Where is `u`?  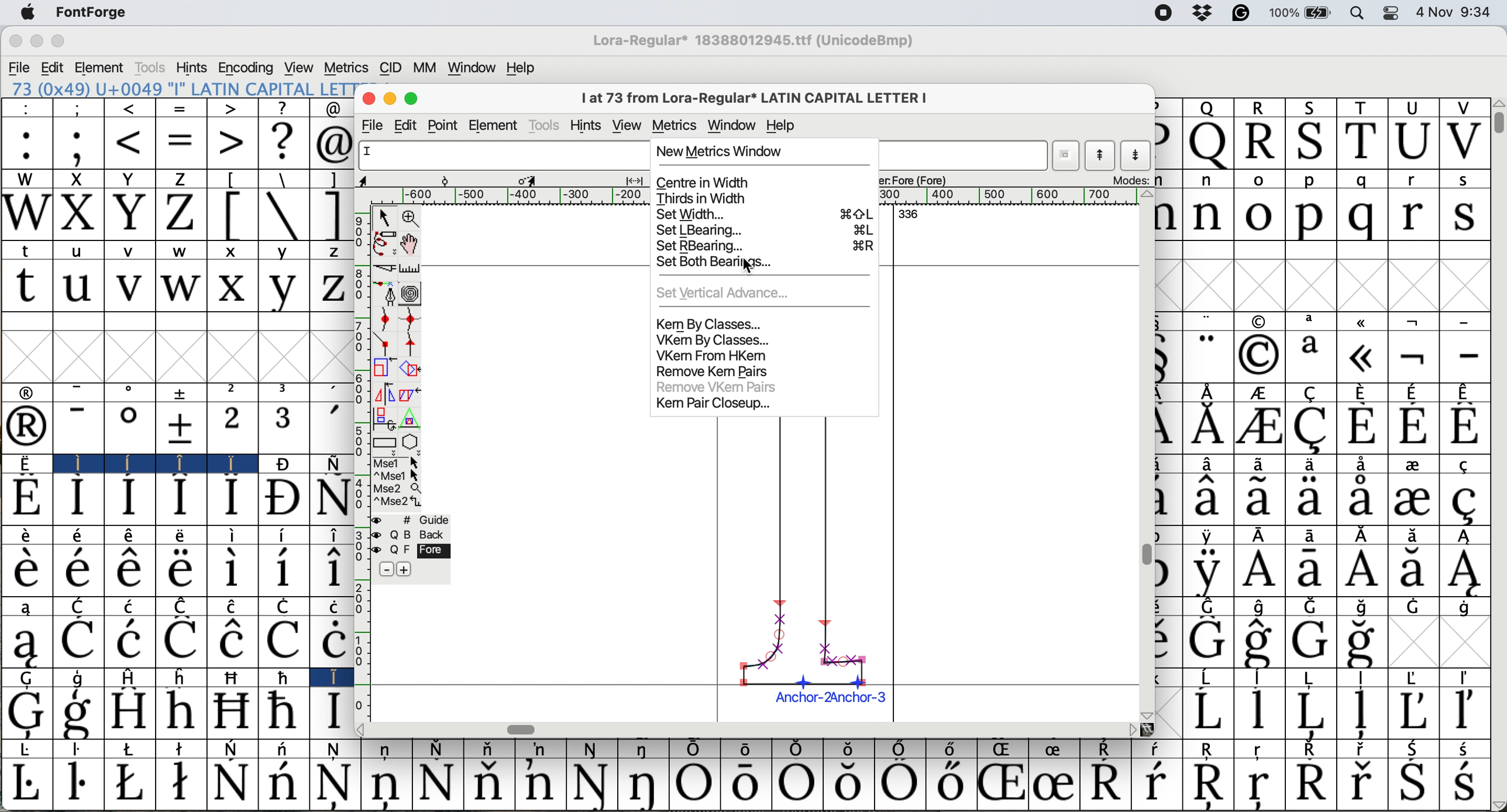 u is located at coordinates (78, 253).